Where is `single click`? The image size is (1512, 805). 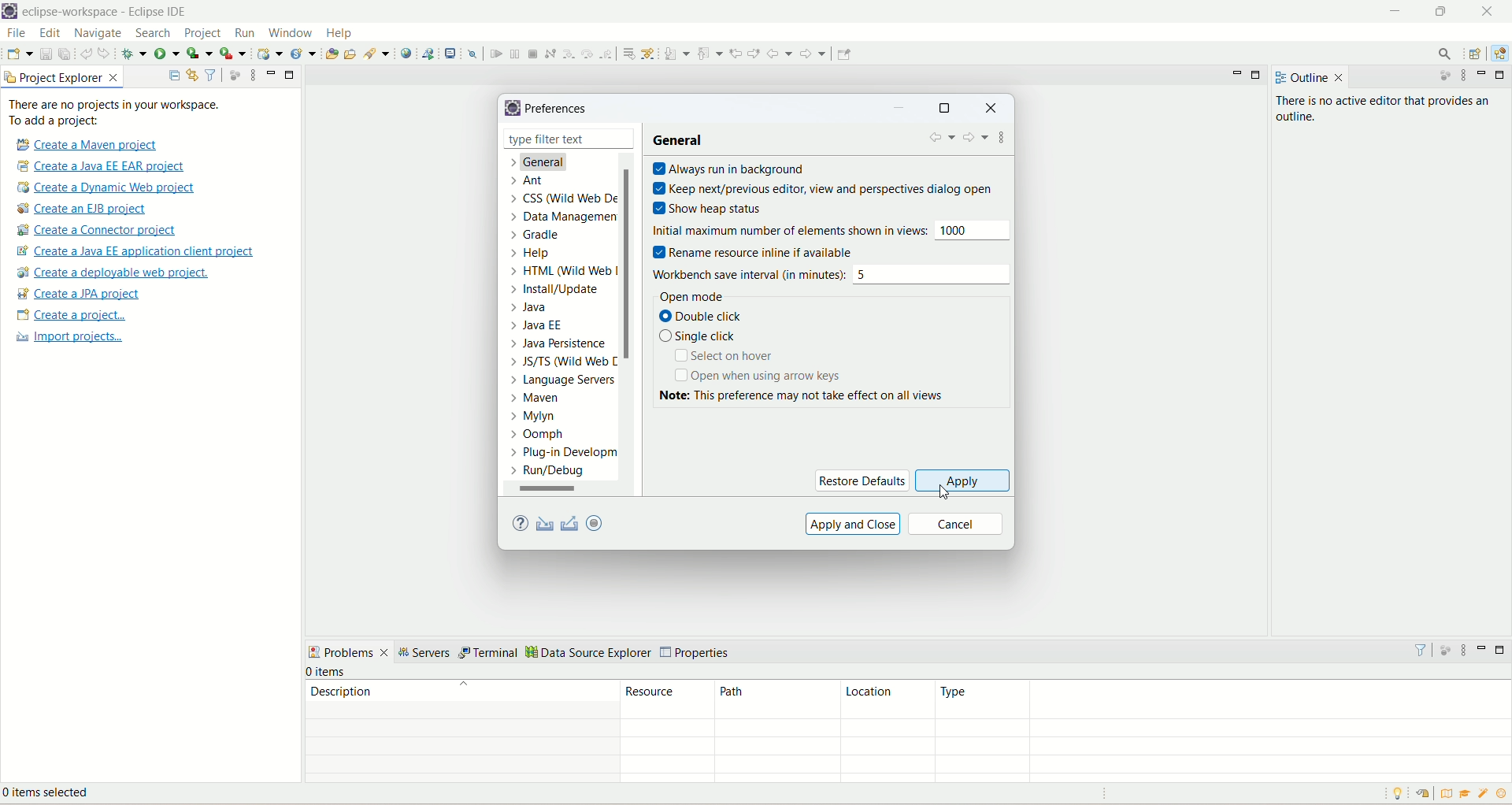
single click is located at coordinates (700, 337).